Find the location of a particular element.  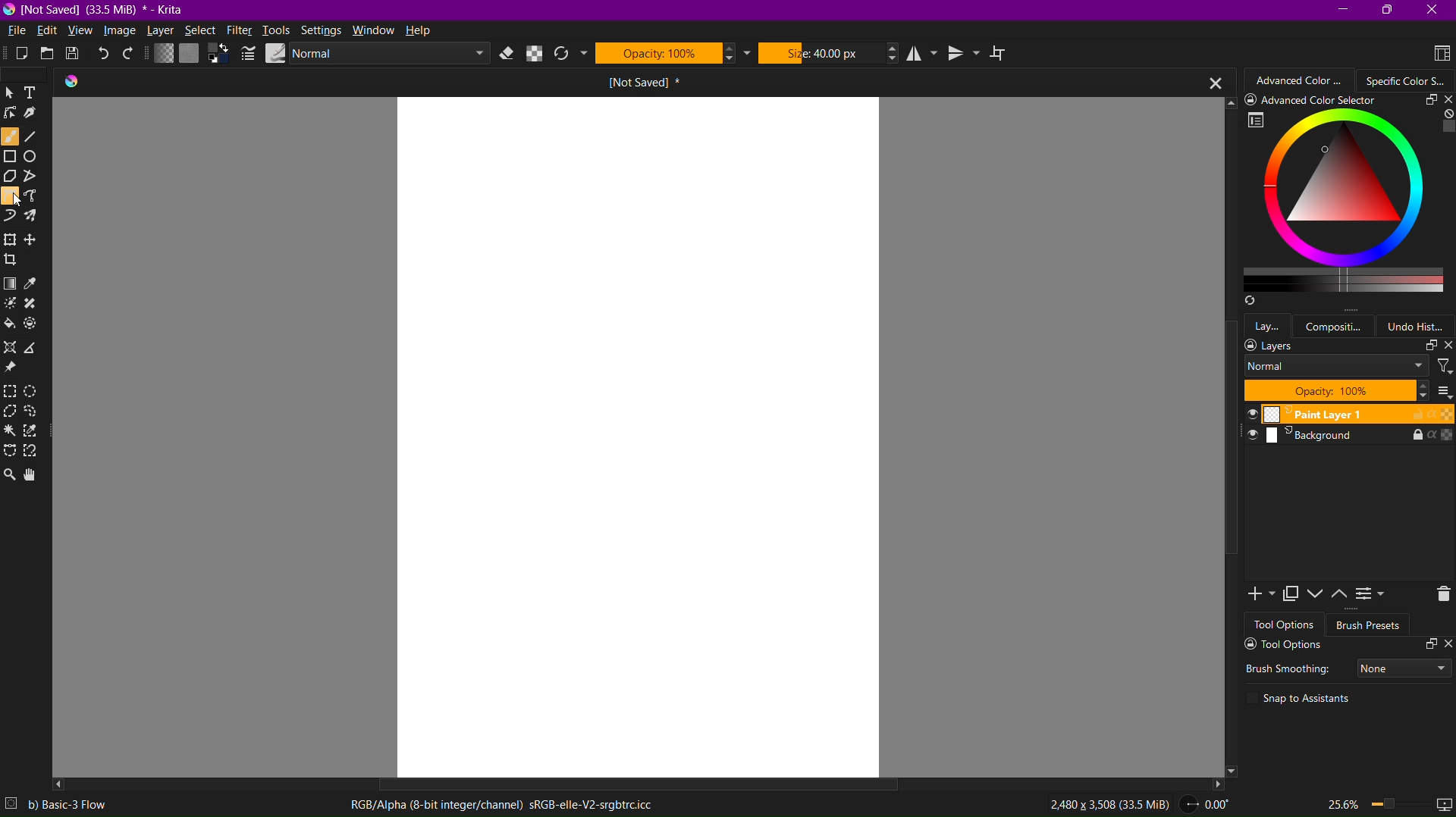

Select is located at coordinates (199, 32).